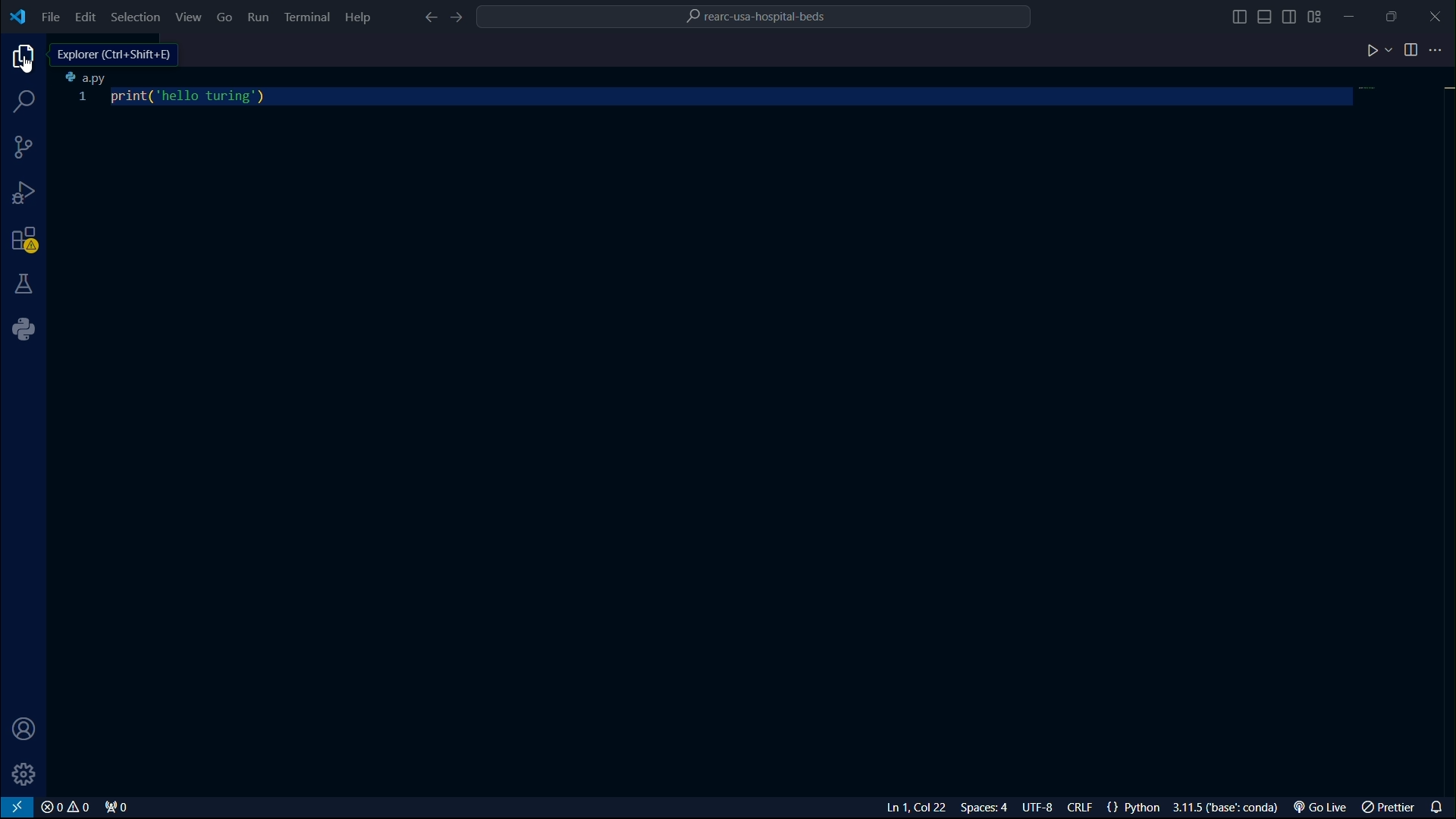  Describe the element at coordinates (18, 18) in the screenshot. I see `logo` at that location.